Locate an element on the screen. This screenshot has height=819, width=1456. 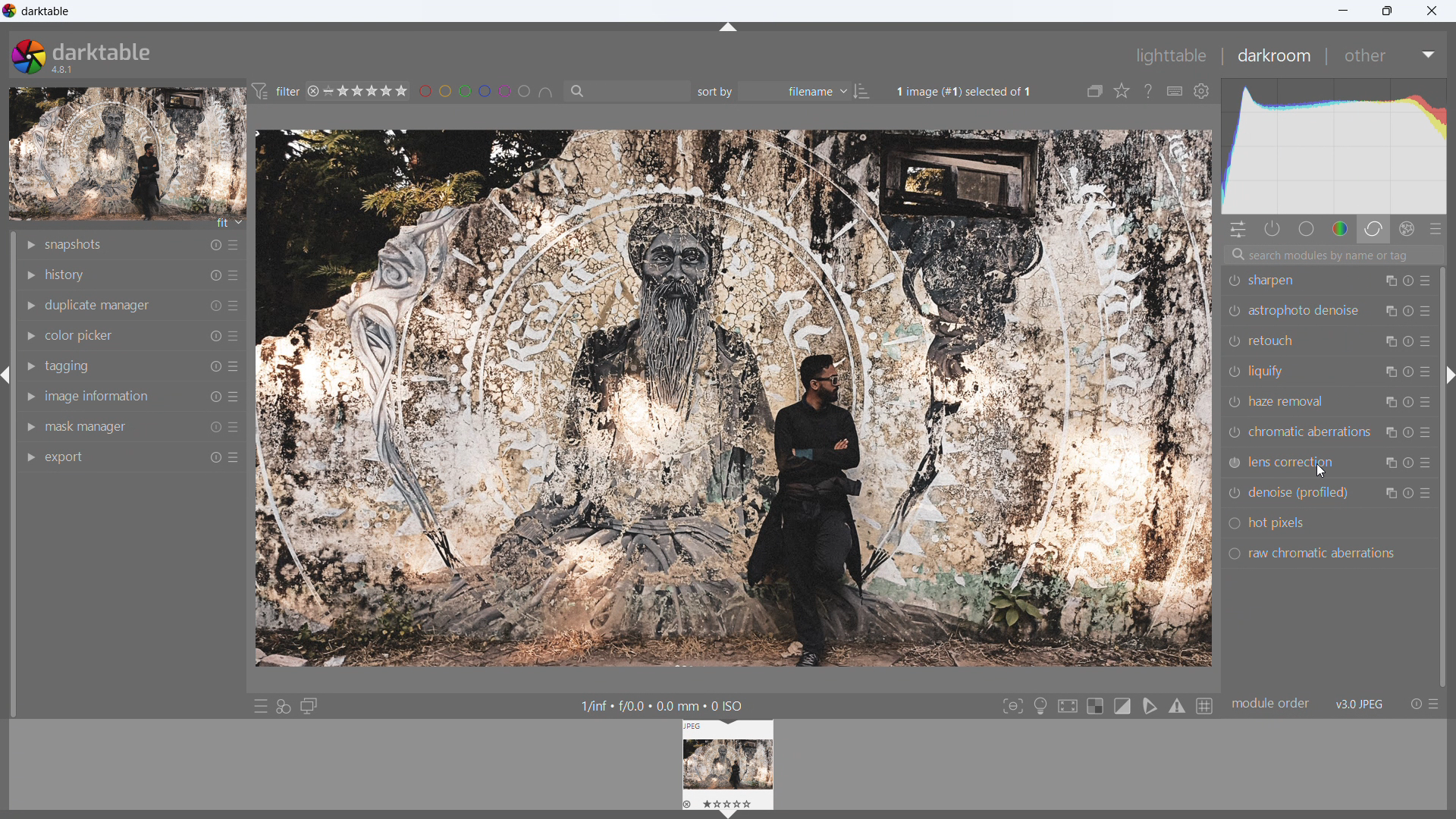
show module is located at coordinates (30, 365).